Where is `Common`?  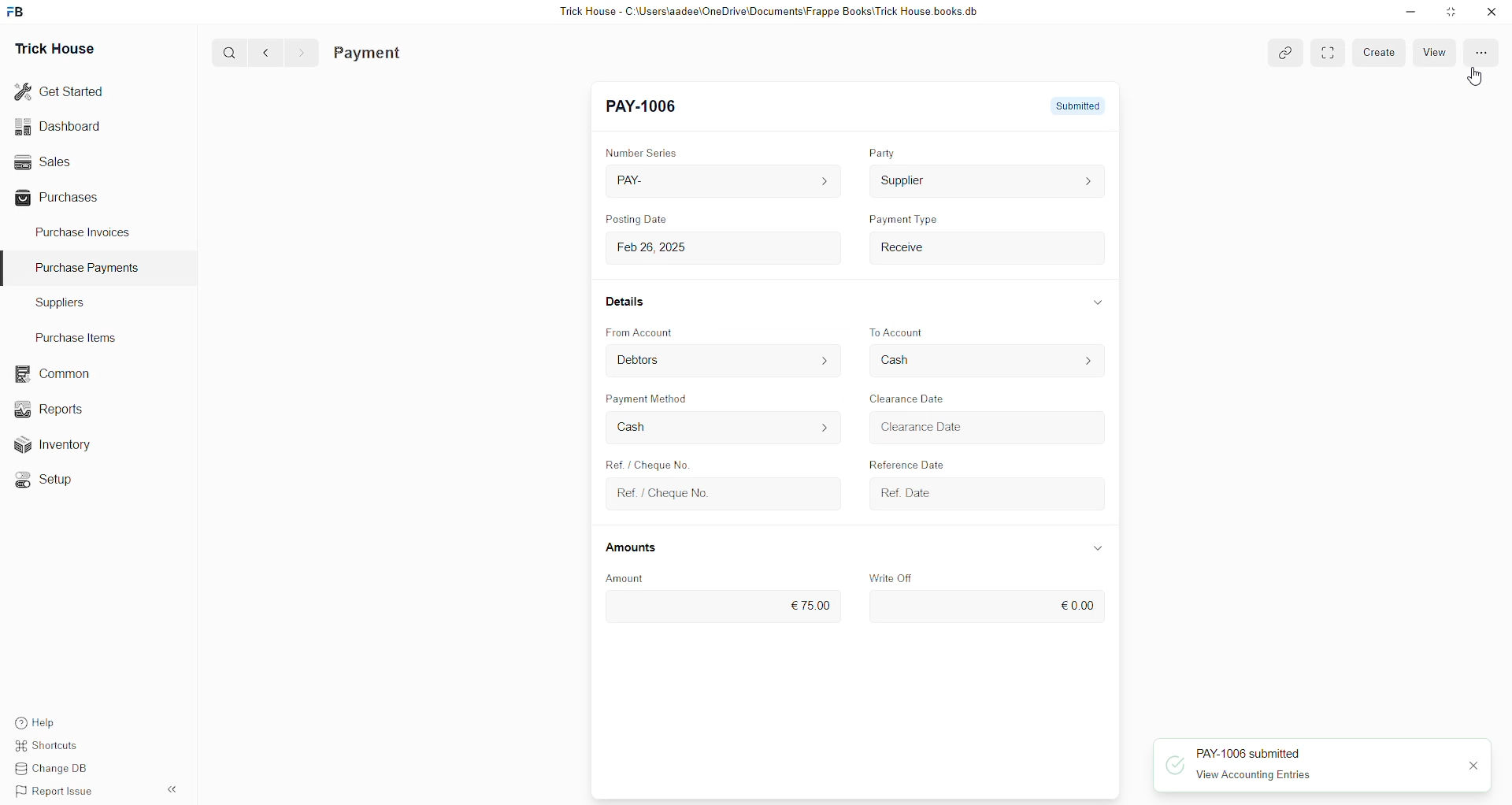 Common is located at coordinates (50, 373).